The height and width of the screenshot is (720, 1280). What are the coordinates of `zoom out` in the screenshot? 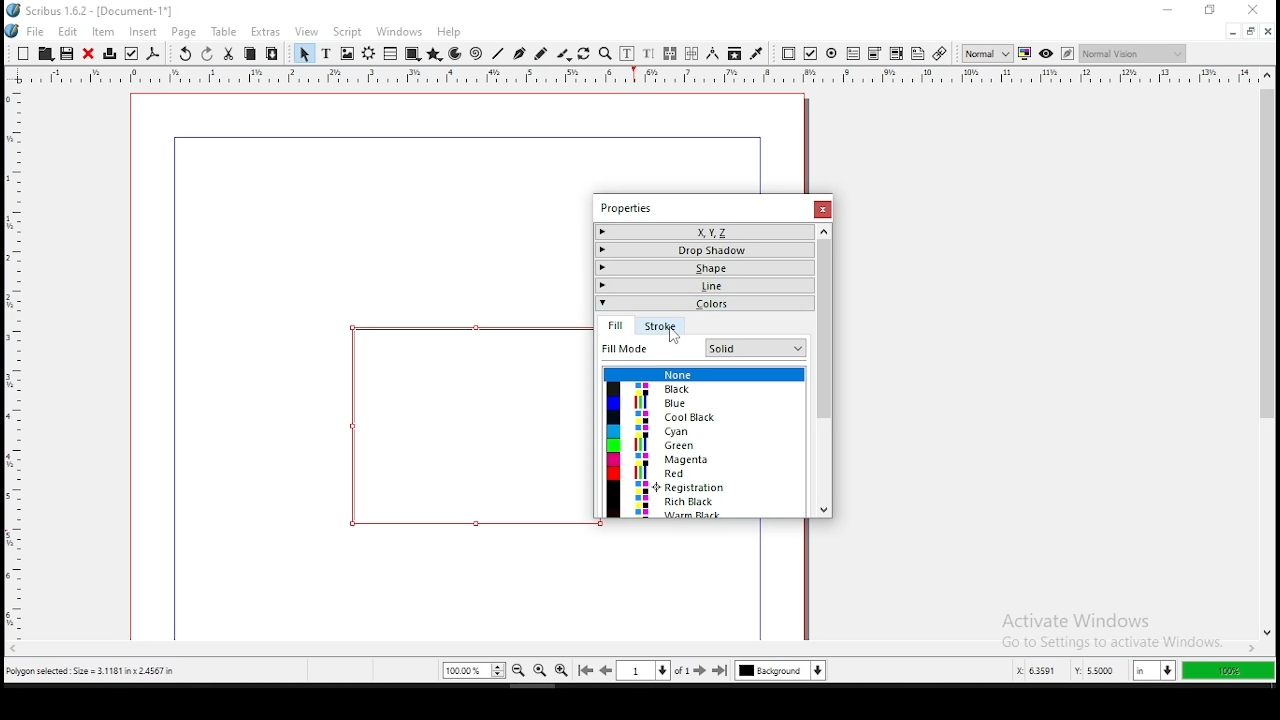 It's located at (519, 670).